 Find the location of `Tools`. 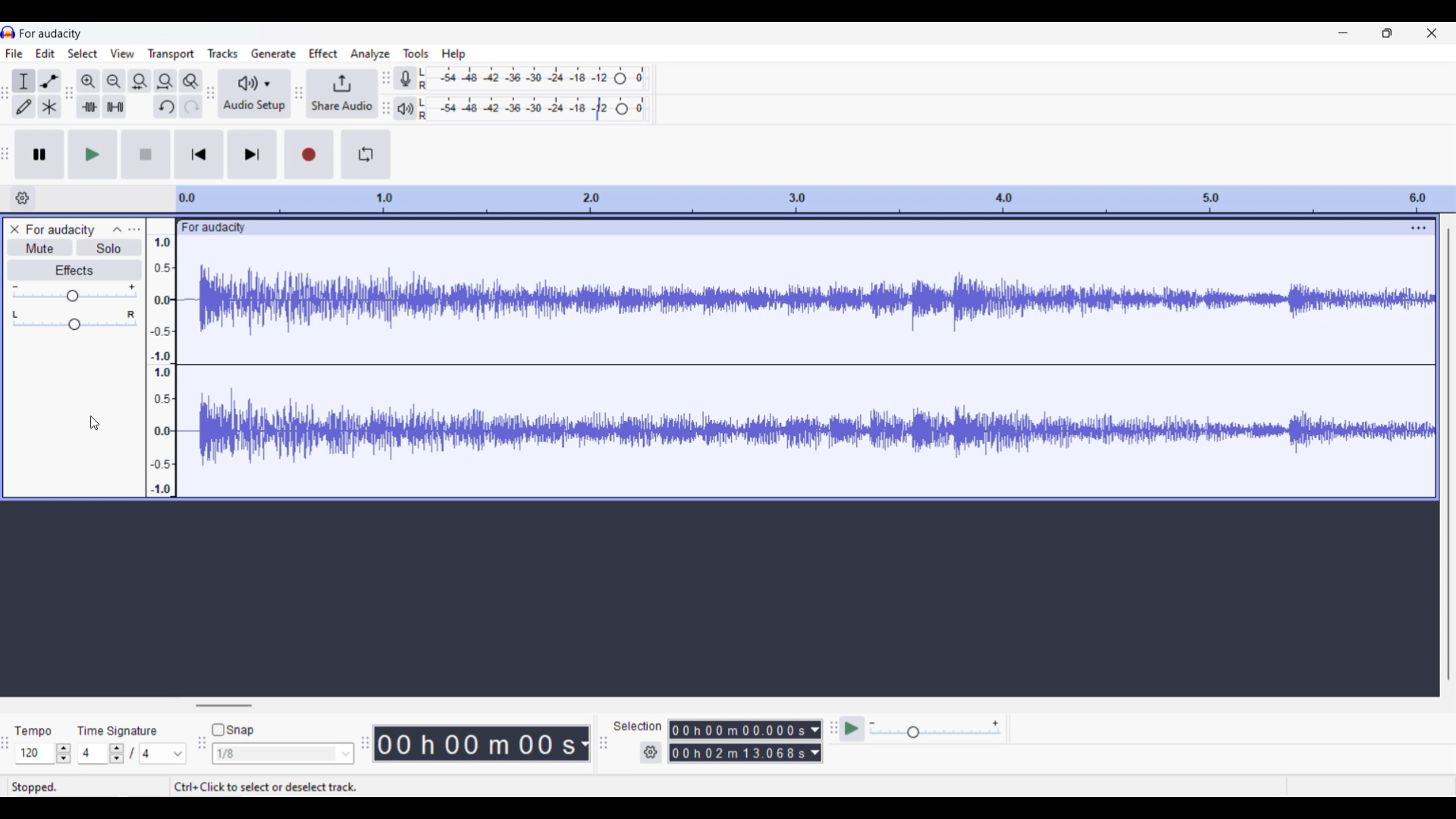

Tools is located at coordinates (416, 52).